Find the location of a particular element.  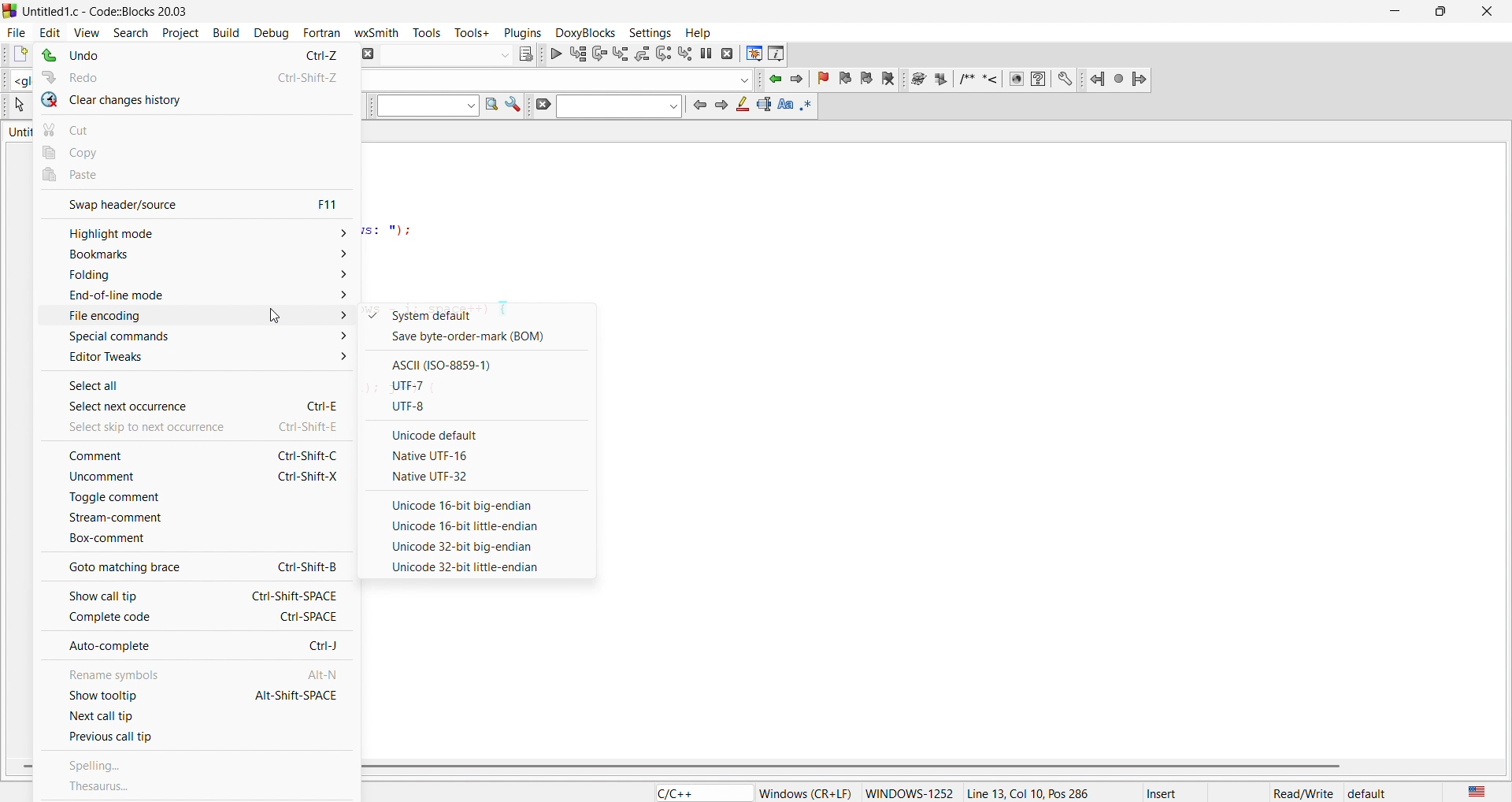

show call tip is located at coordinates (193, 593).